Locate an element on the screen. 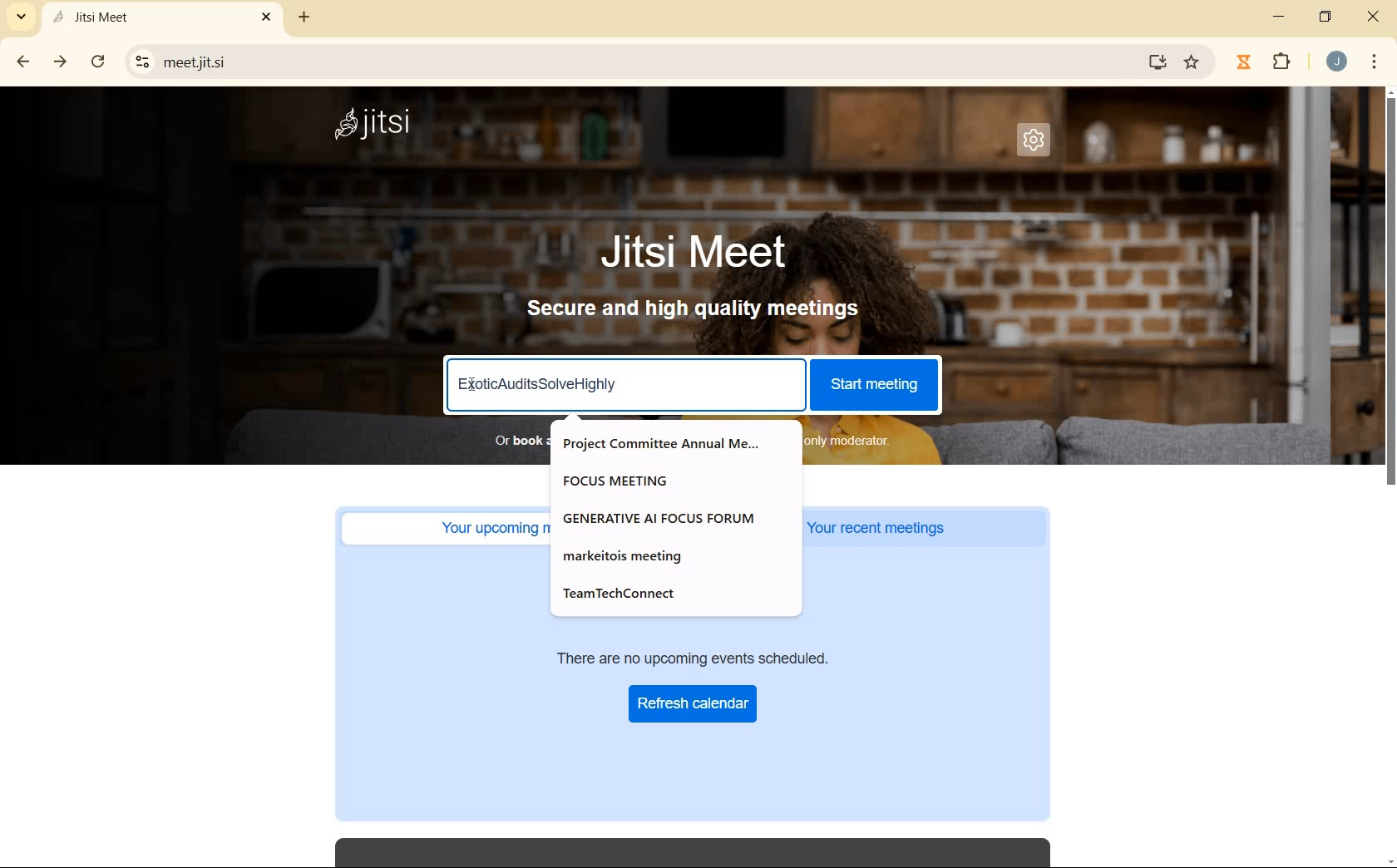 This screenshot has width=1397, height=868. View site information is located at coordinates (143, 61).